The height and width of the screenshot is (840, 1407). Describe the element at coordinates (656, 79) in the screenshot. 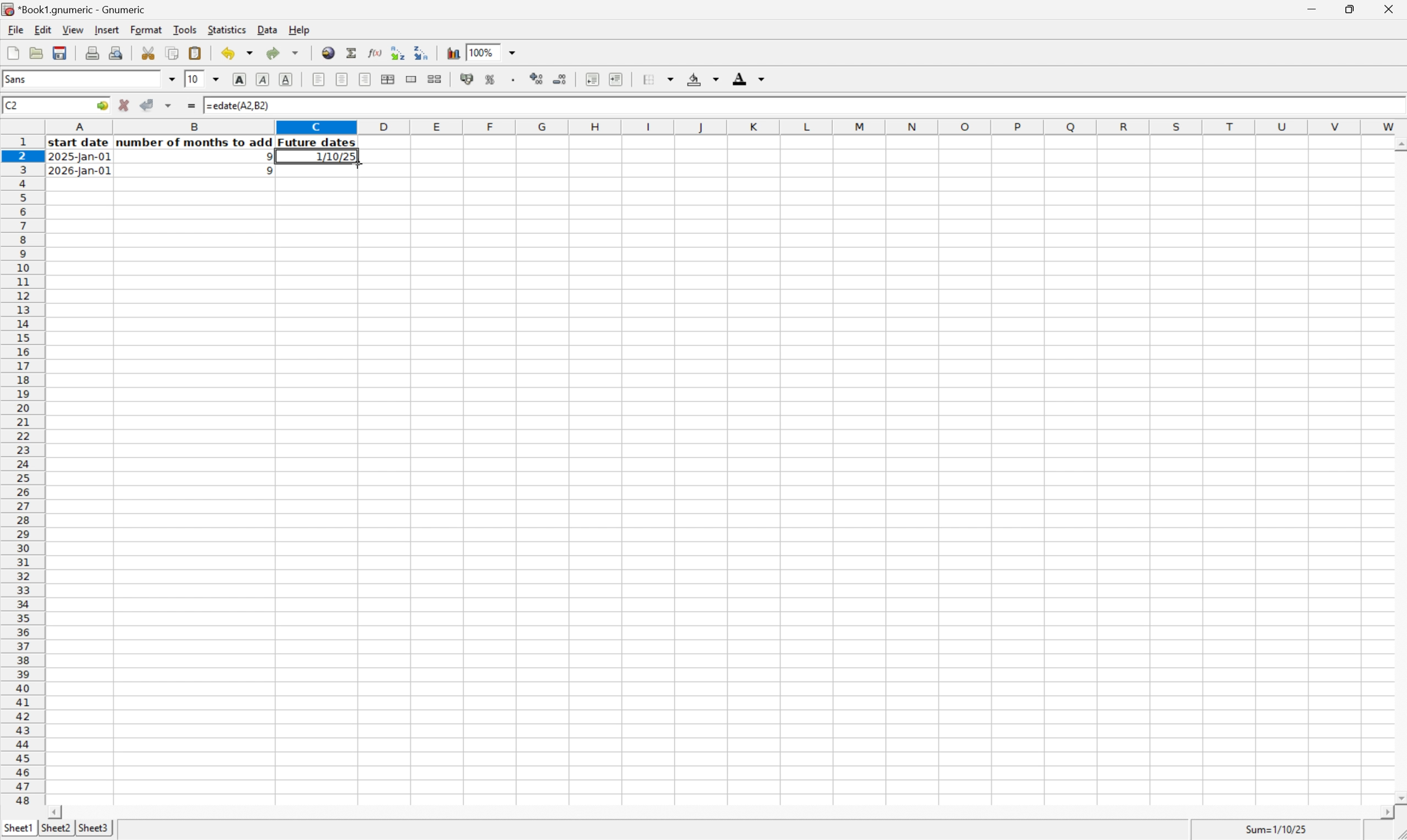

I see `Borders` at that location.